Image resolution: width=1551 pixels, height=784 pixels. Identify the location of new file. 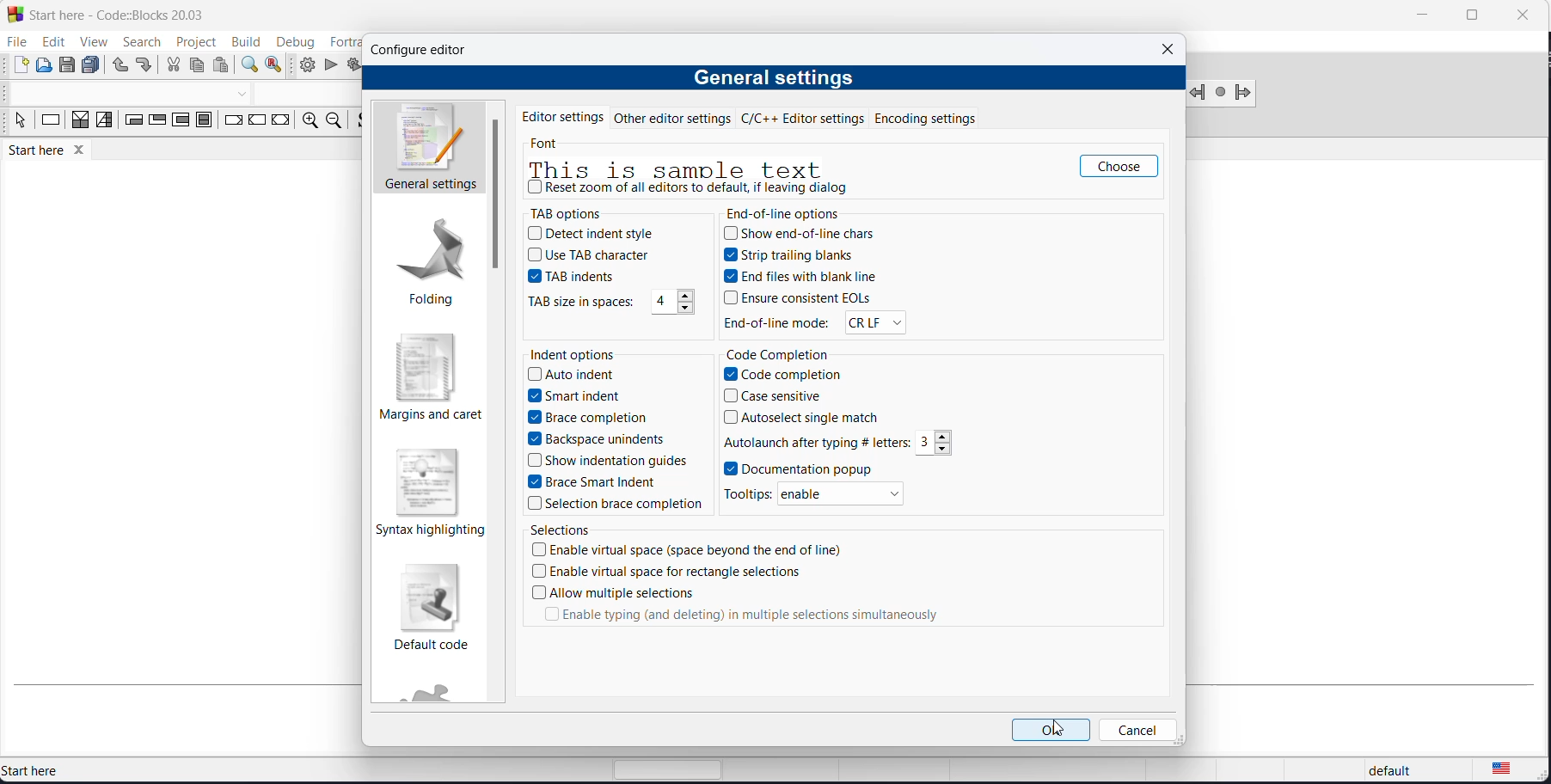
(20, 65).